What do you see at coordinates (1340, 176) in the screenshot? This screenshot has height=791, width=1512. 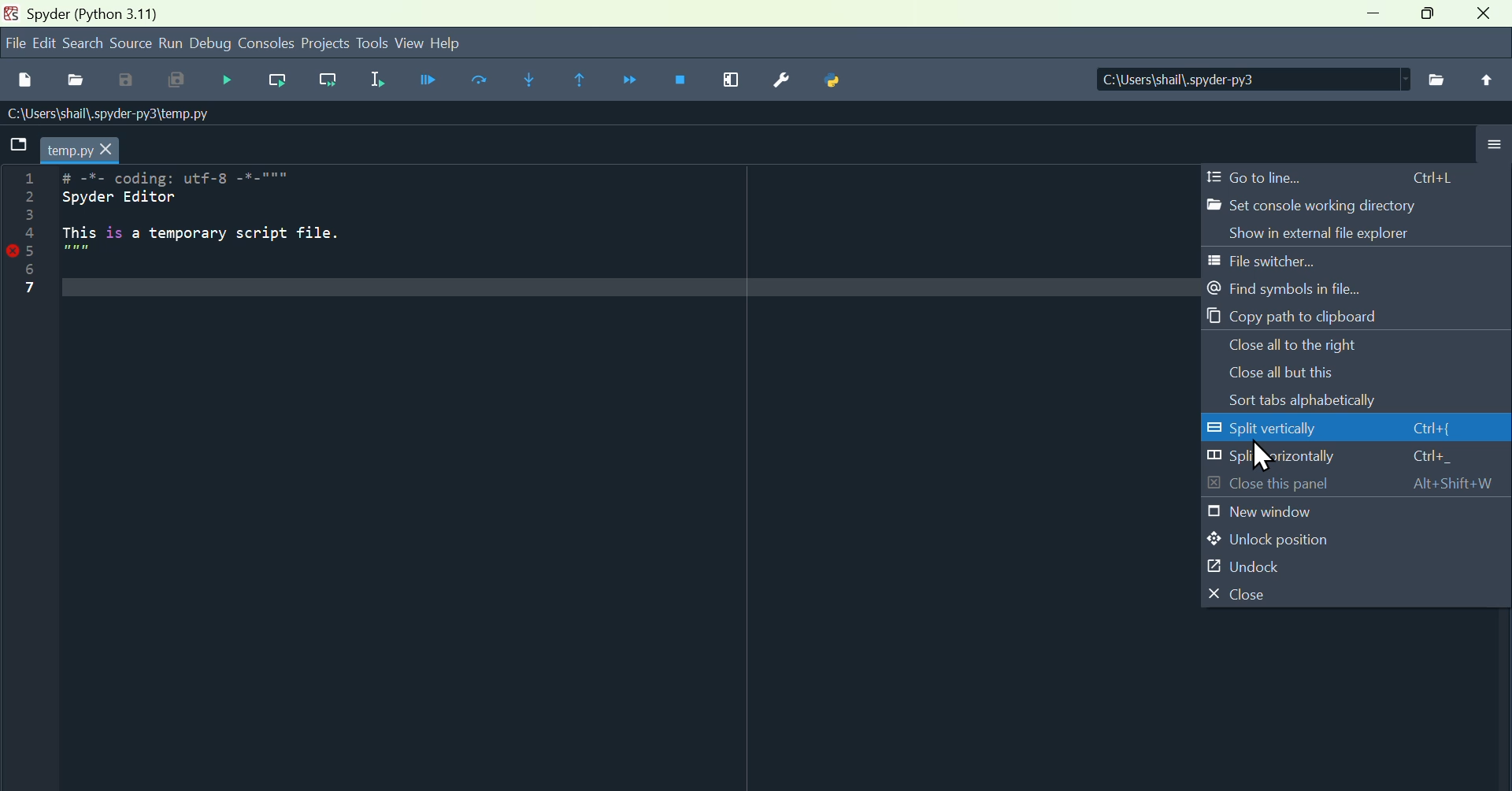 I see `Go to line` at bounding box center [1340, 176].